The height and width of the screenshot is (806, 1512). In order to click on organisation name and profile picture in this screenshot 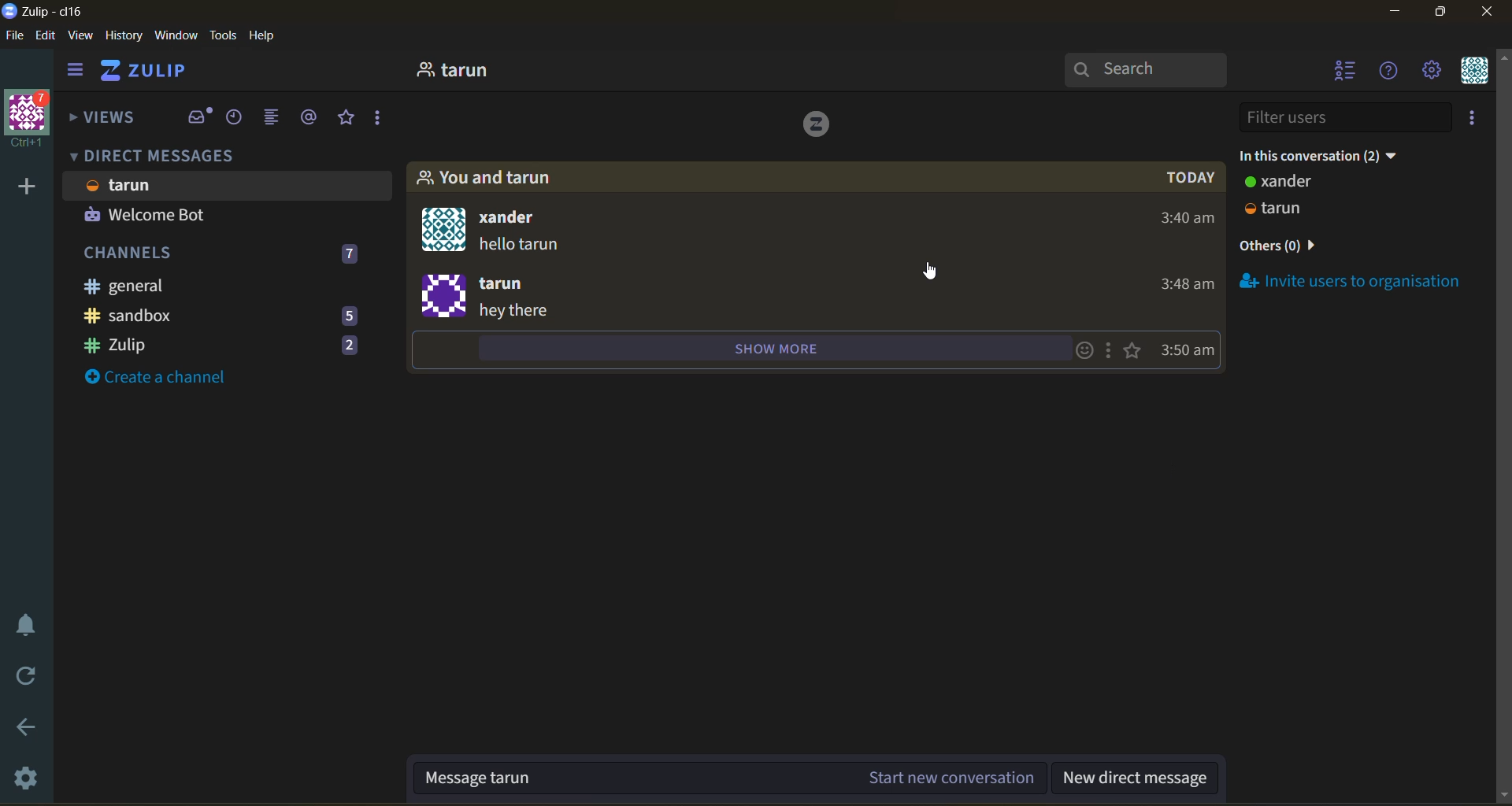, I will do `click(31, 117)`.